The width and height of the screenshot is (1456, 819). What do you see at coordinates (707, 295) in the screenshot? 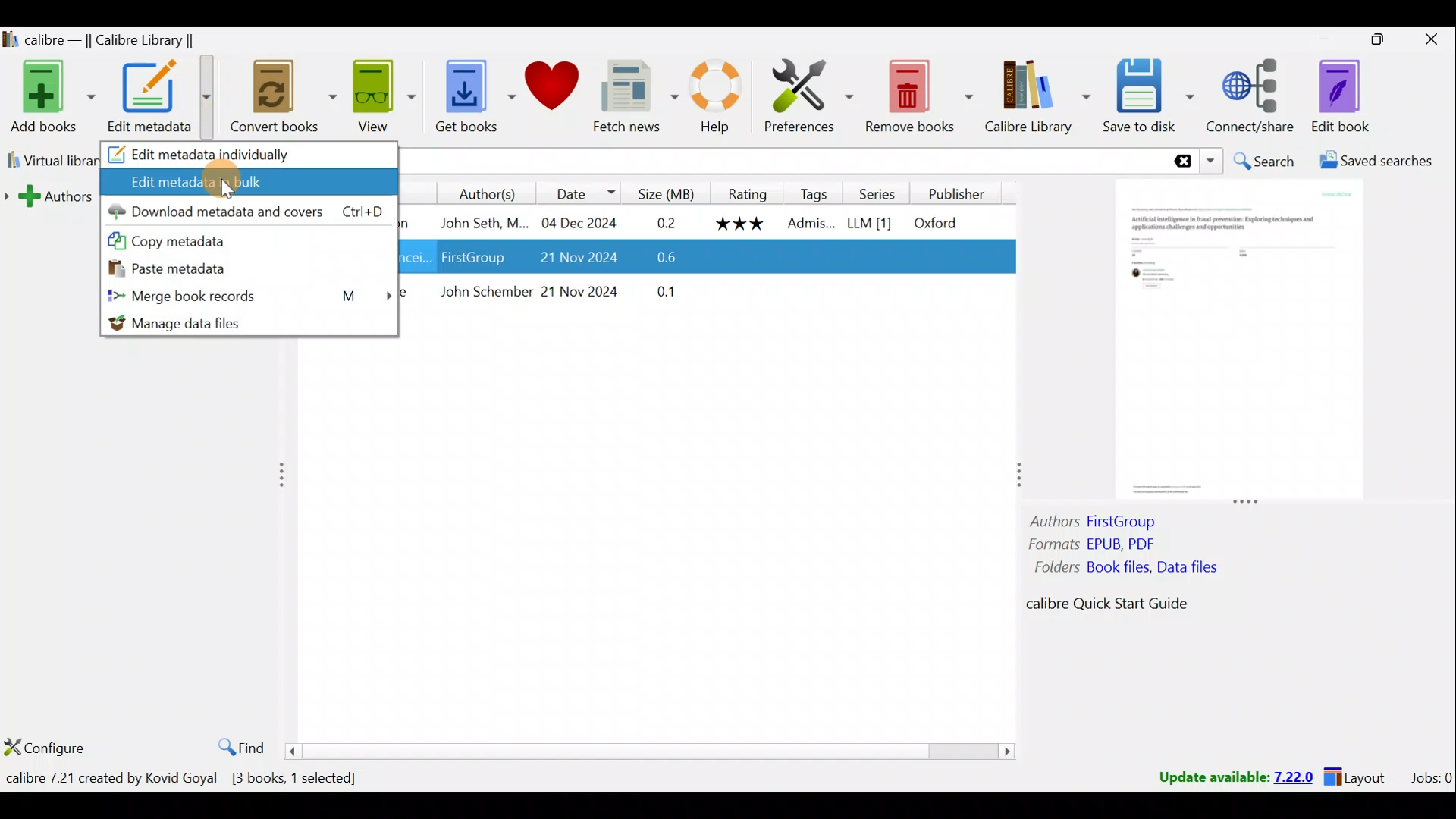
I see `Book 3` at bounding box center [707, 295].